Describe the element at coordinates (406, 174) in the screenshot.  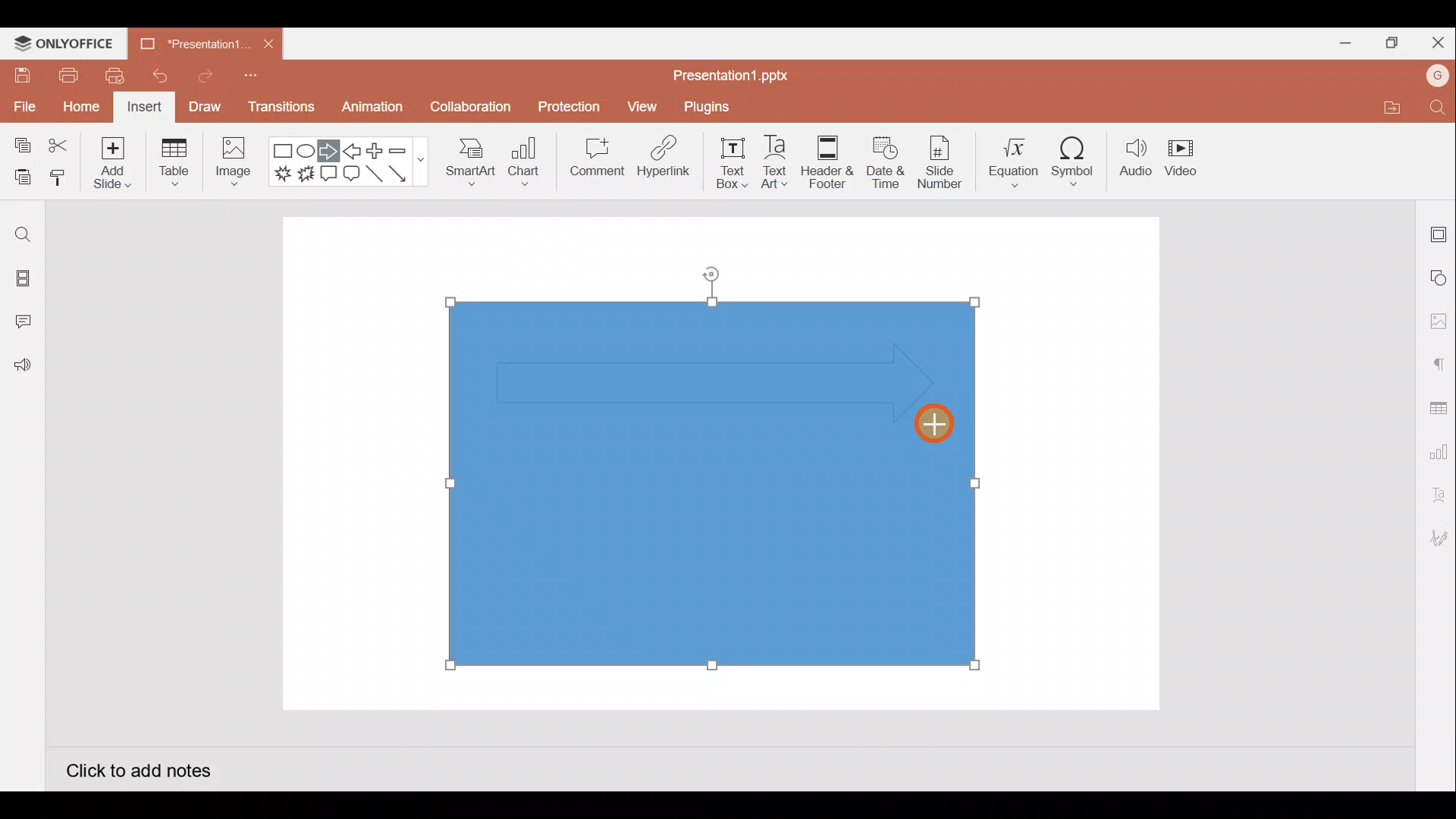
I see `Arrow` at that location.